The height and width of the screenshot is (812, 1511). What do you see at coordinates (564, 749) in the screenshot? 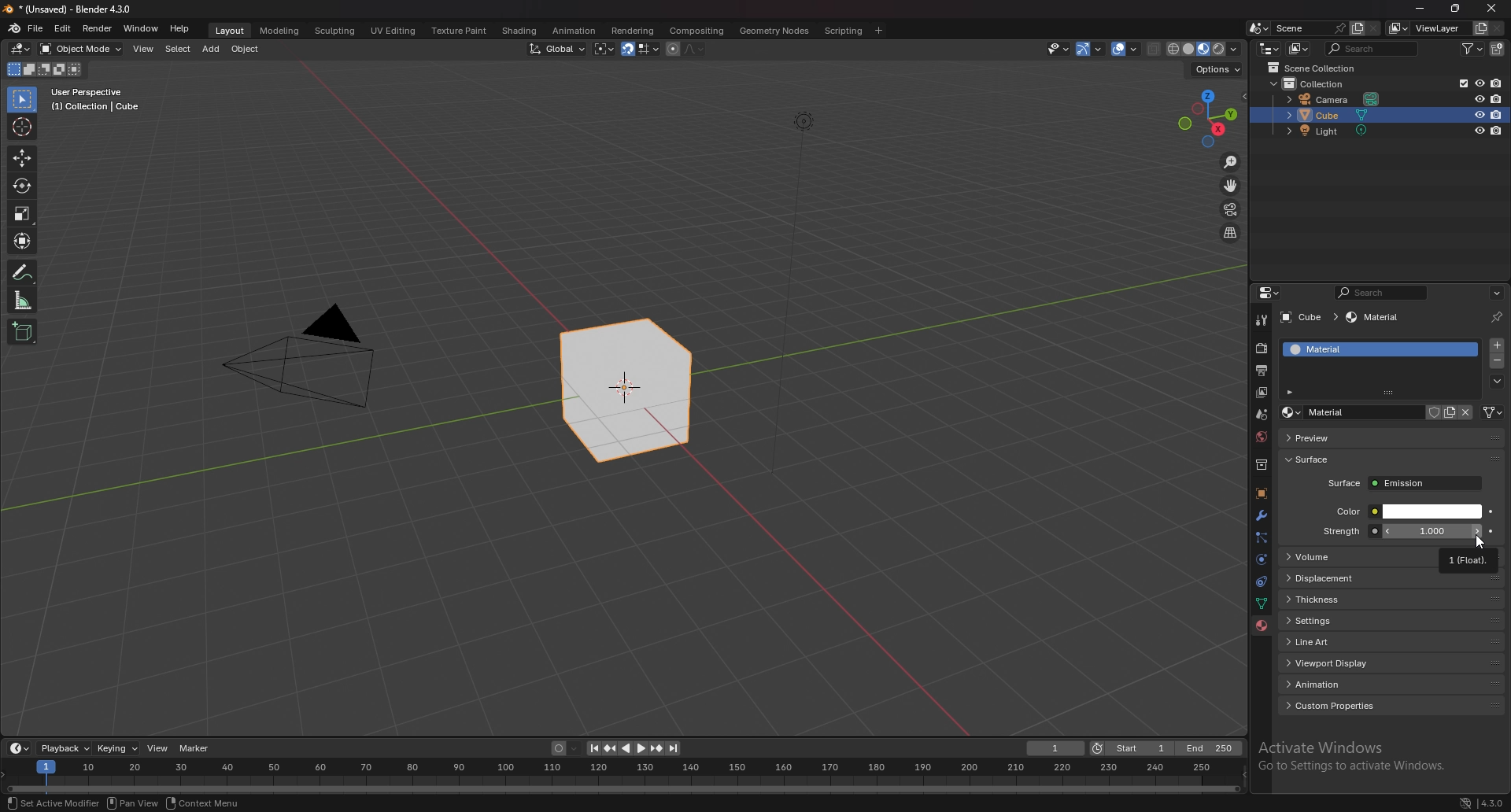
I see `auto keying` at bounding box center [564, 749].